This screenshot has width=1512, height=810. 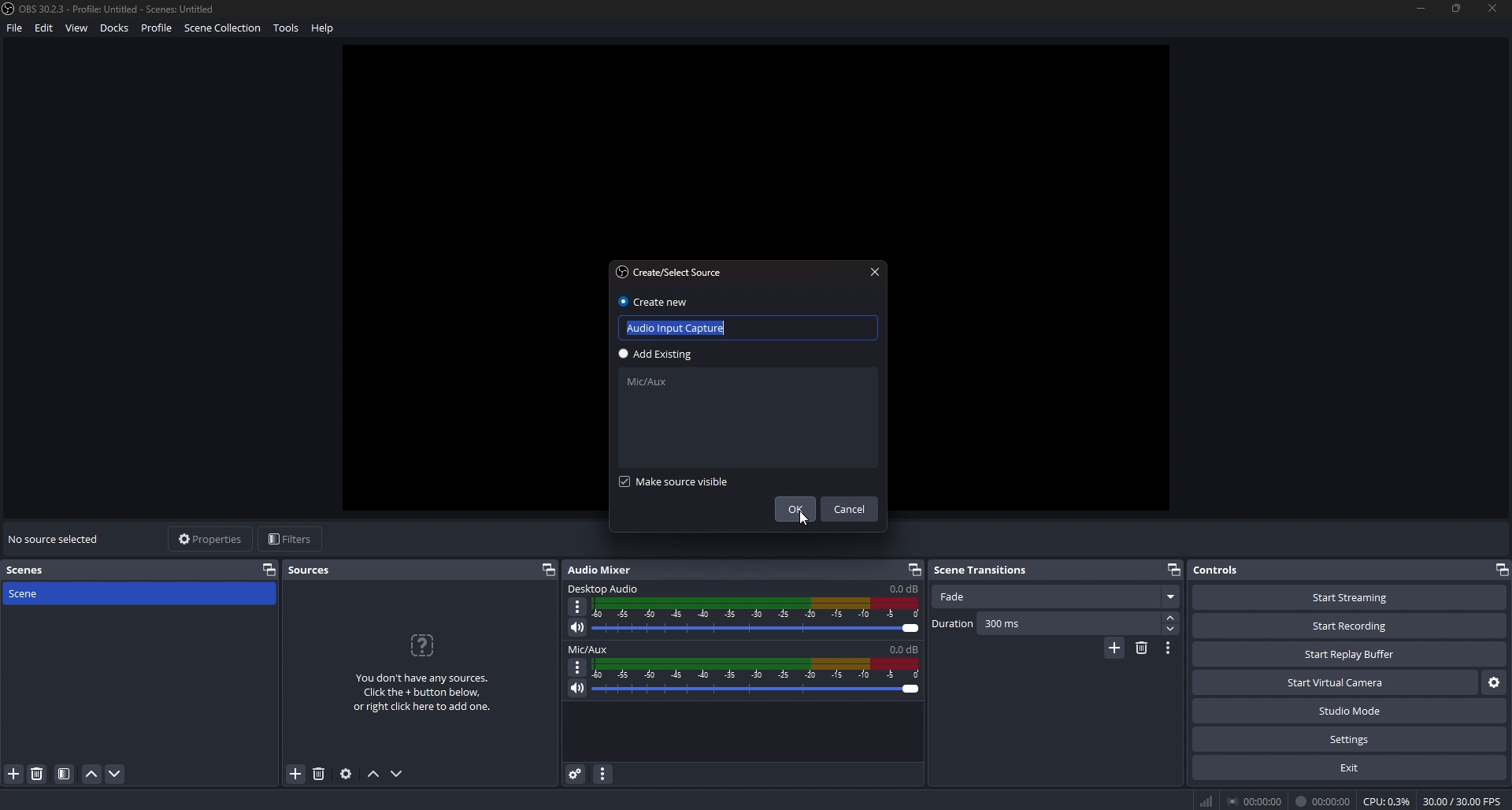 I want to click on info, so click(x=423, y=674).